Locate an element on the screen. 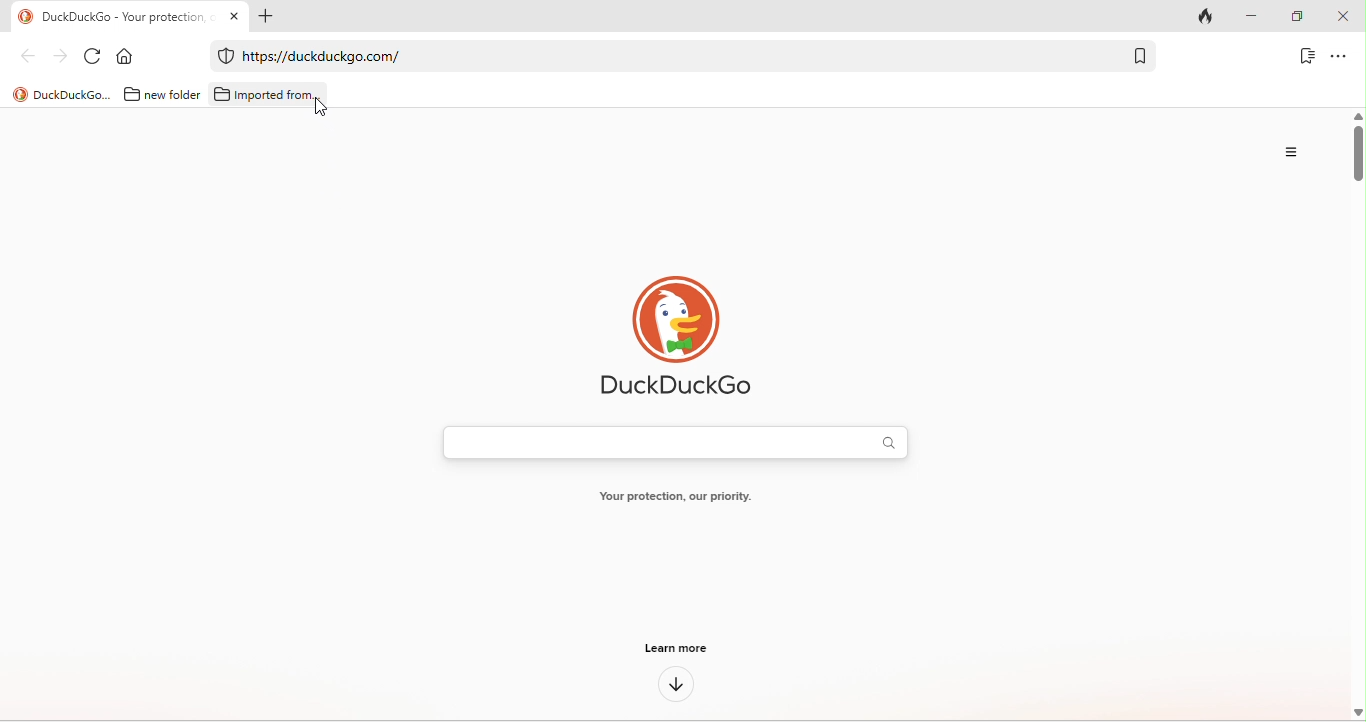 The width and height of the screenshot is (1366, 722). home is located at coordinates (127, 55).